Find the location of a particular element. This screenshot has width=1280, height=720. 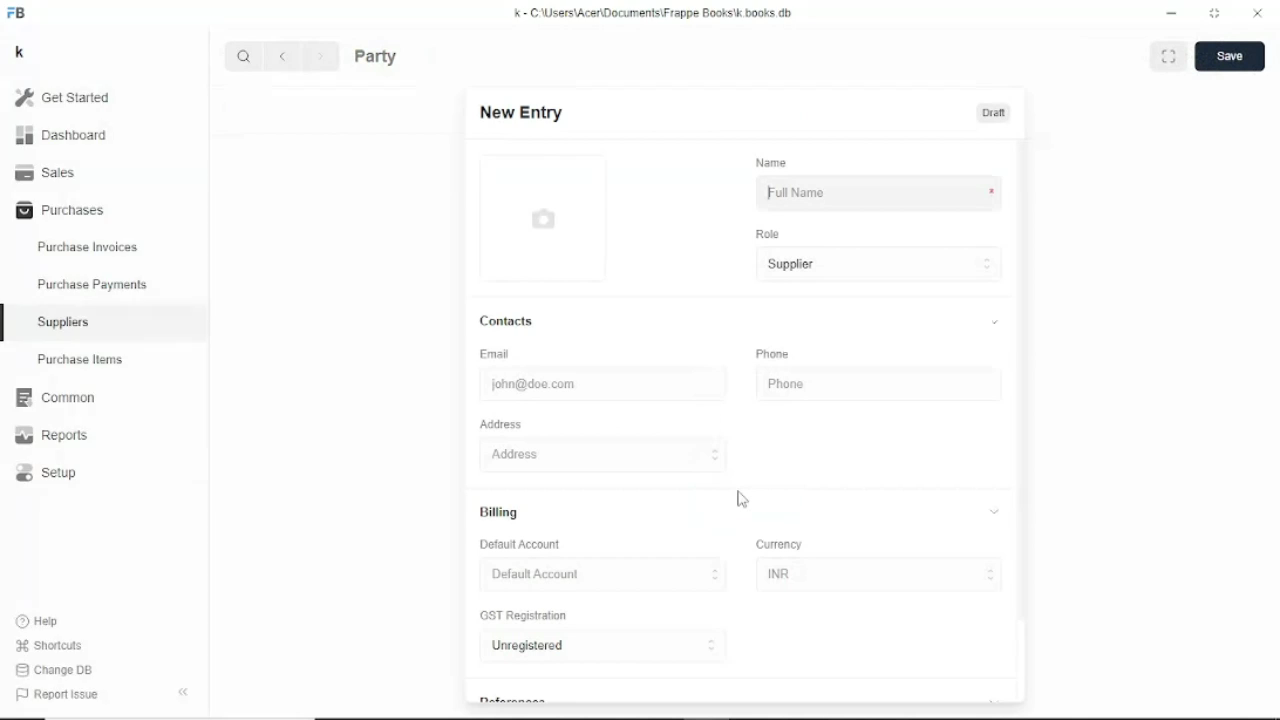

k - C\Users\Acer\Documents\Frappe books\k.books.db is located at coordinates (654, 12).